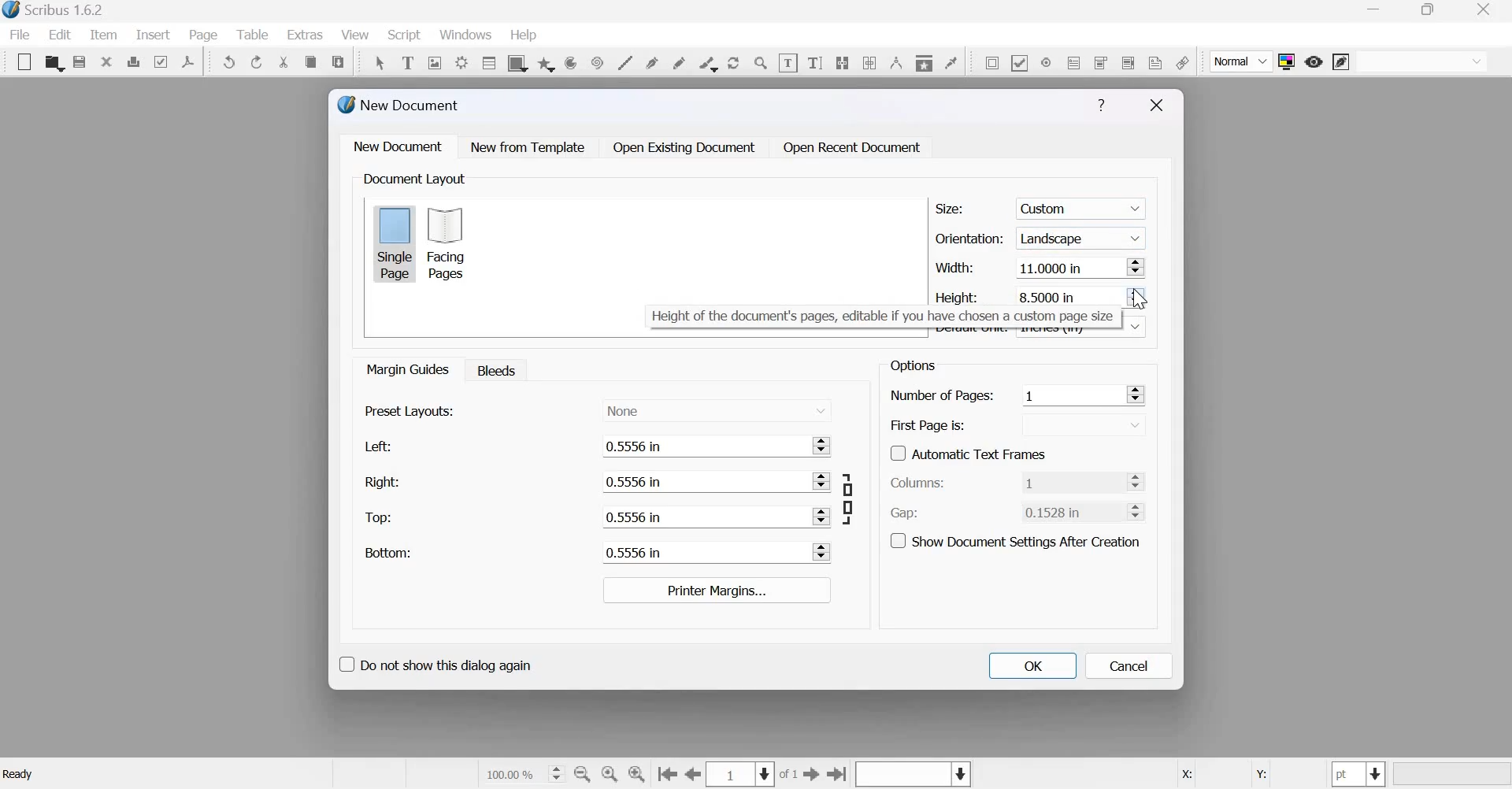 Image resolution: width=1512 pixels, height=789 pixels. What do you see at coordinates (380, 61) in the screenshot?
I see `Select item` at bounding box center [380, 61].